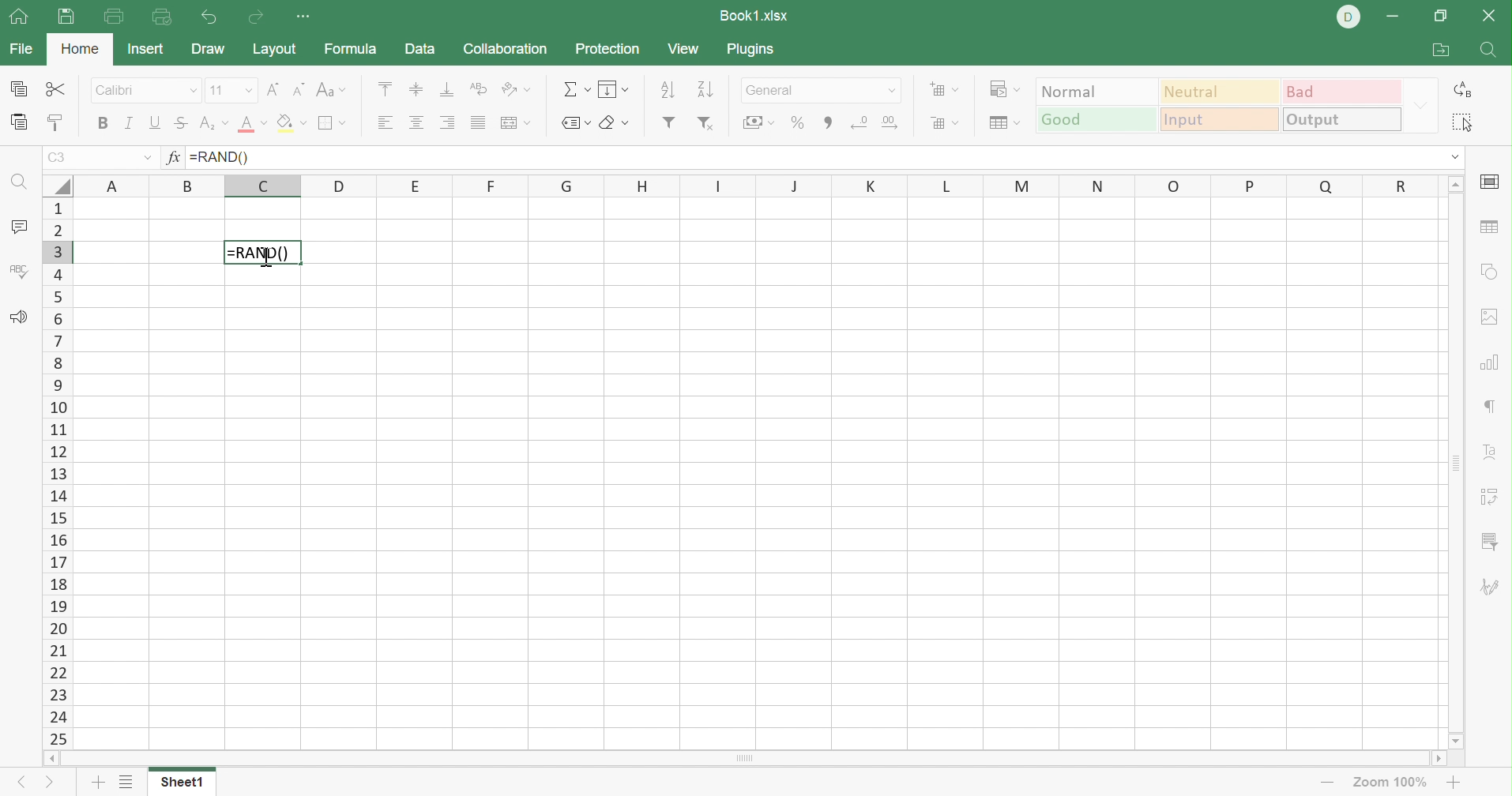 The height and width of the screenshot is (796, 1512). Describe the element at coordinates (18, 784) in the screenshot. I see `Previous` at that location.